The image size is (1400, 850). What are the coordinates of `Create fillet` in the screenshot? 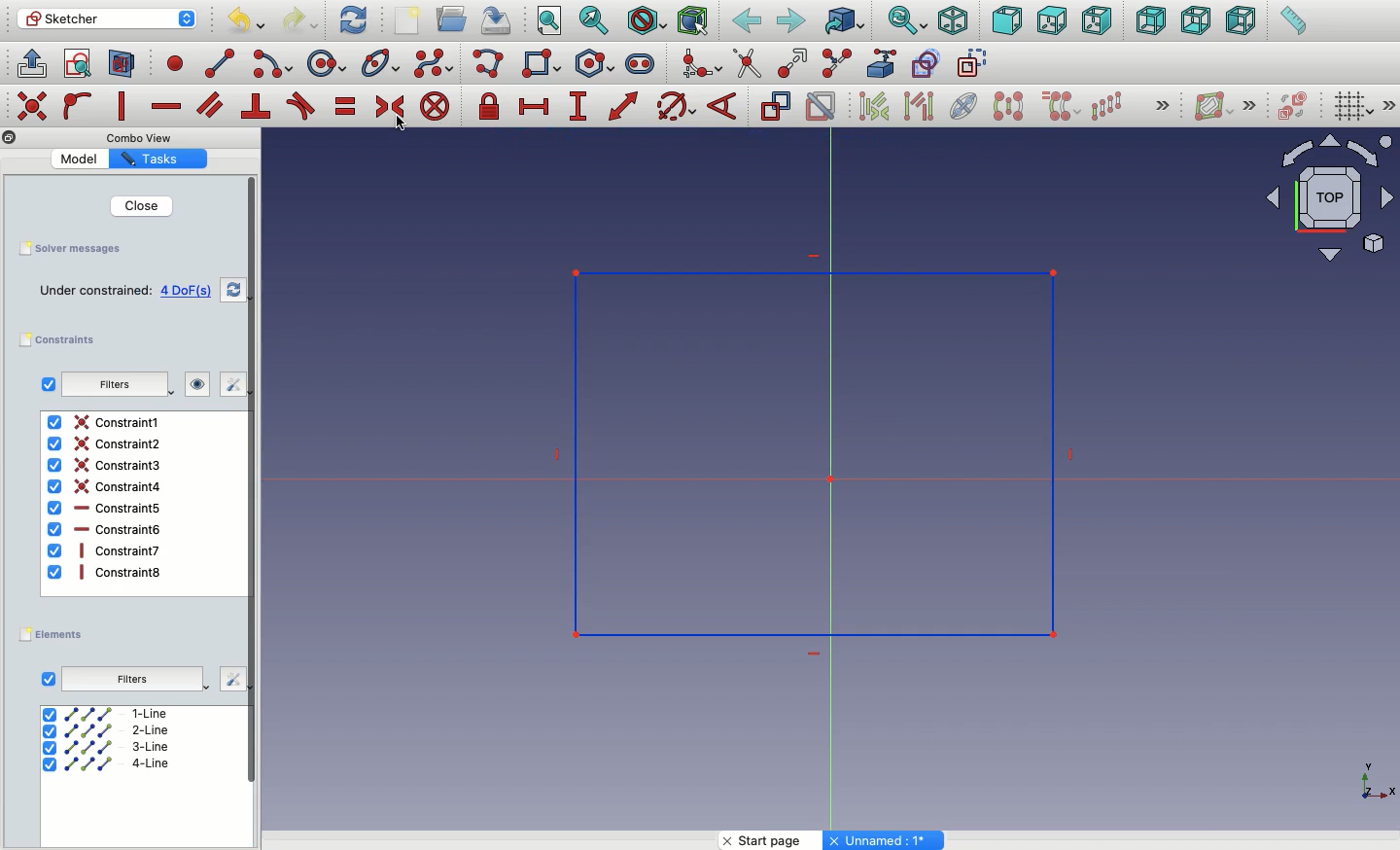 It's located at (700, 65).